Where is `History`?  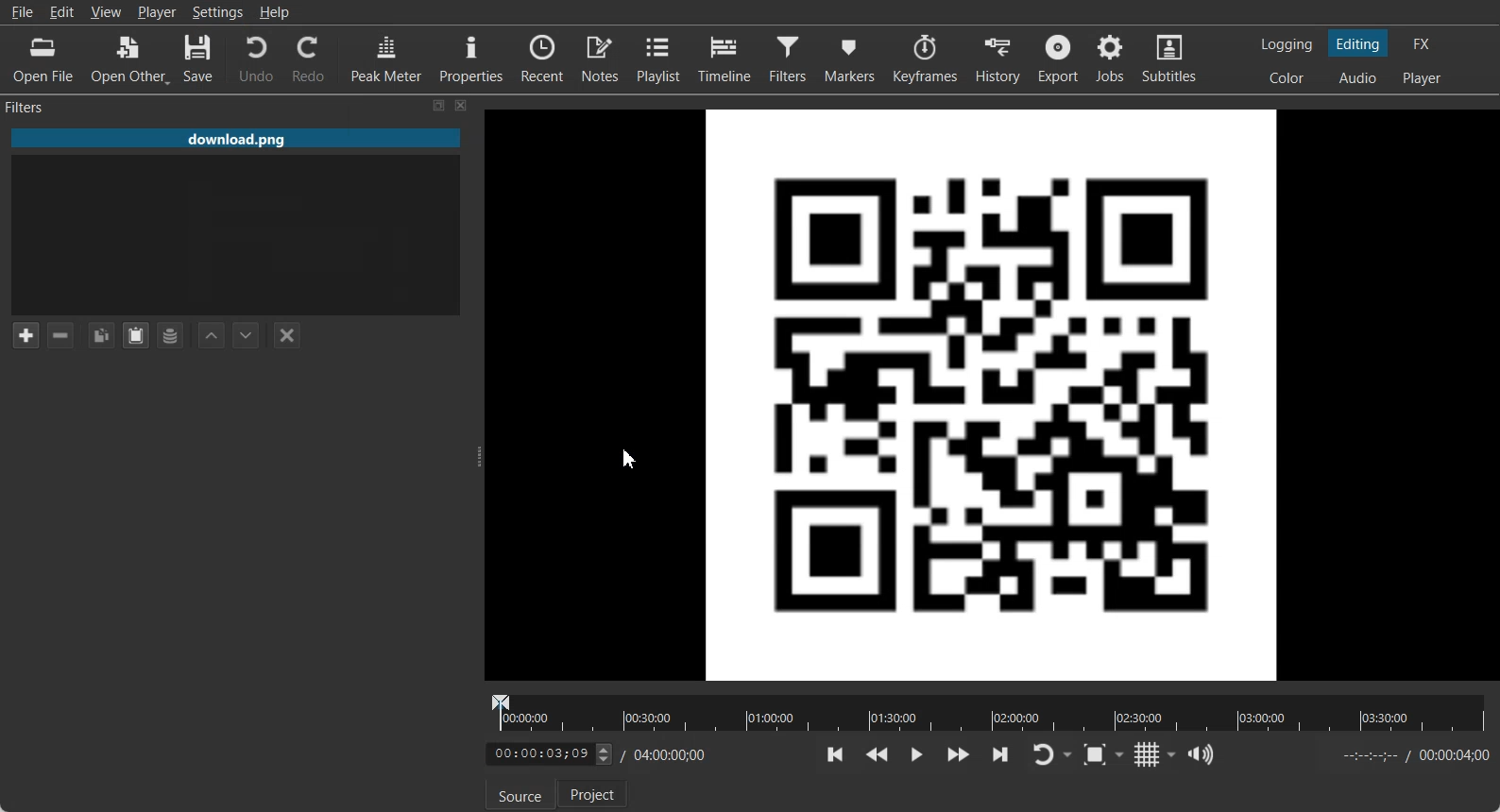
History is located at coordinates (997, 59).